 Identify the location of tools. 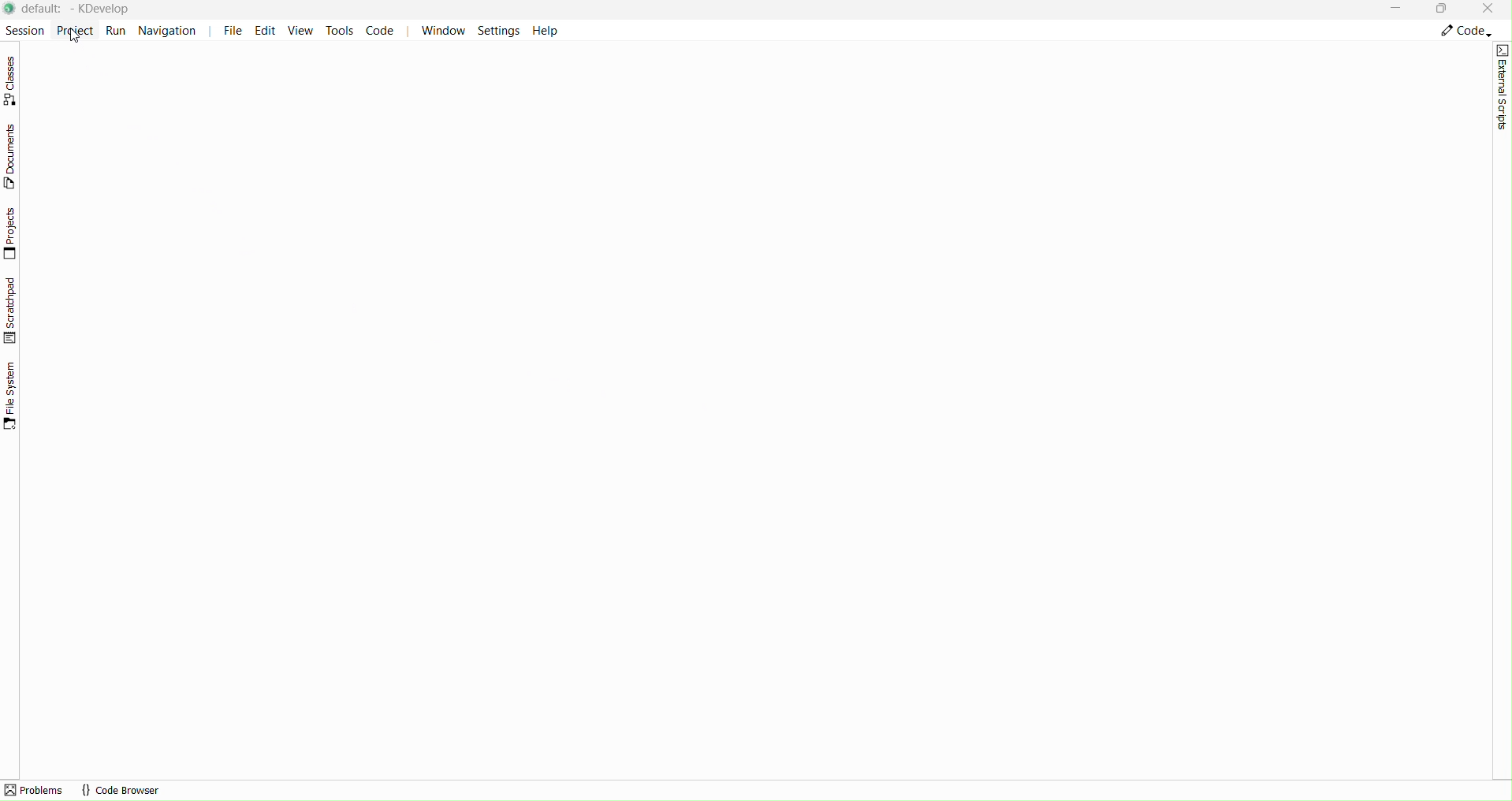
(339, 30).